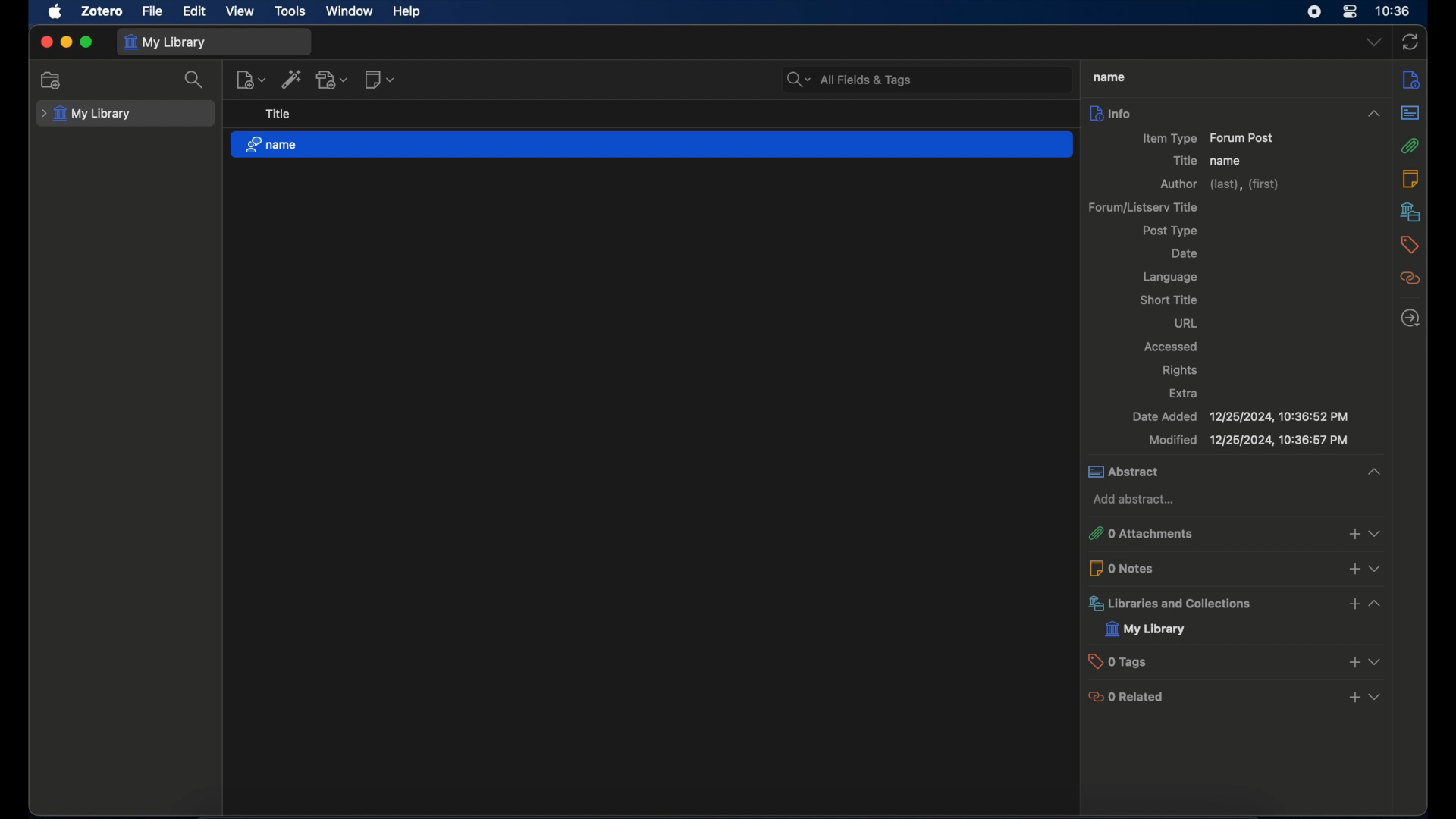  What do you see at coordinates (1183, 393) in the screenshot?
I see `extra` at bounding box center [1183, 393].